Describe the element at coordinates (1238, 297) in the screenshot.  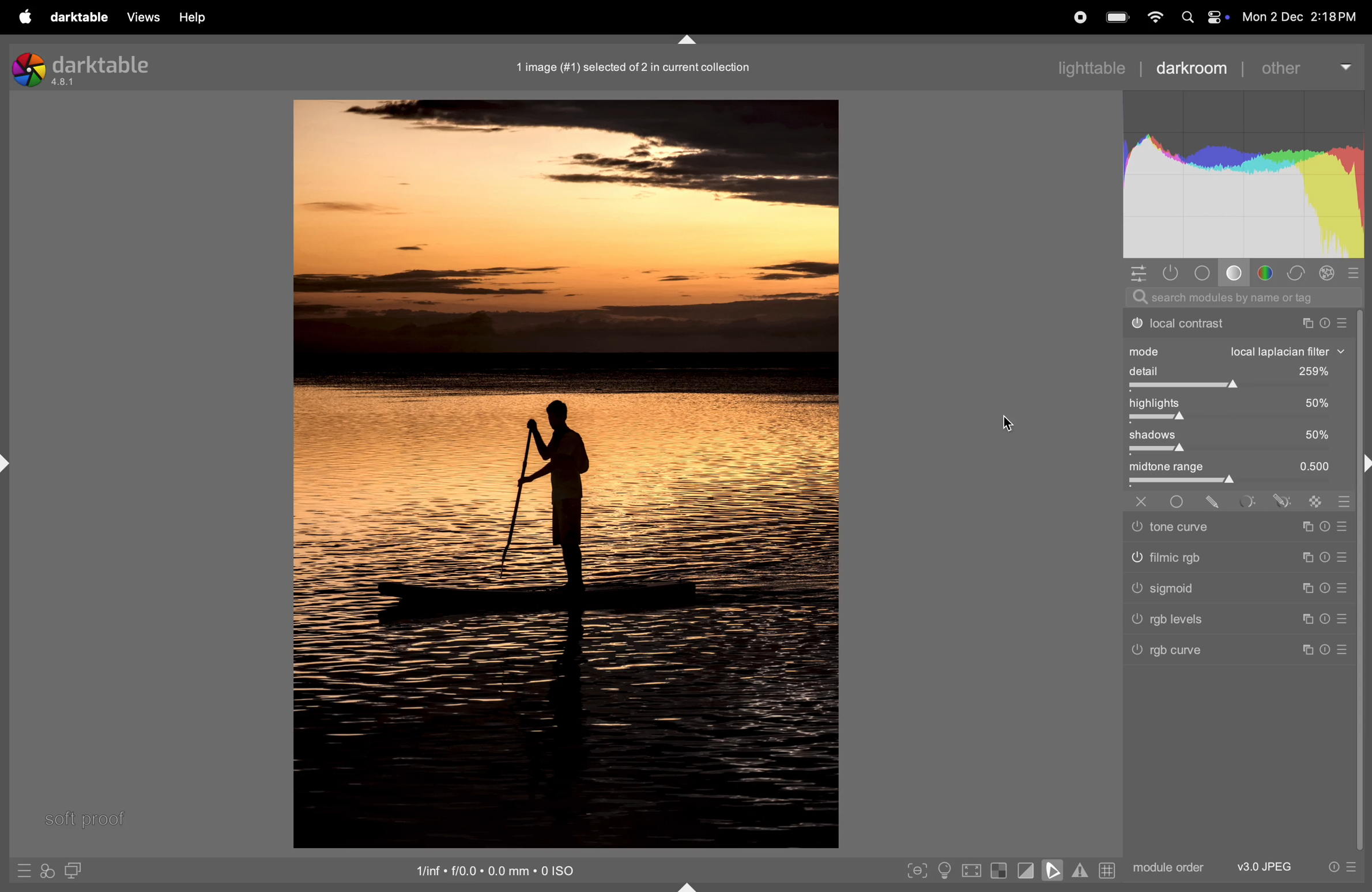
I see `search bar` at that location.